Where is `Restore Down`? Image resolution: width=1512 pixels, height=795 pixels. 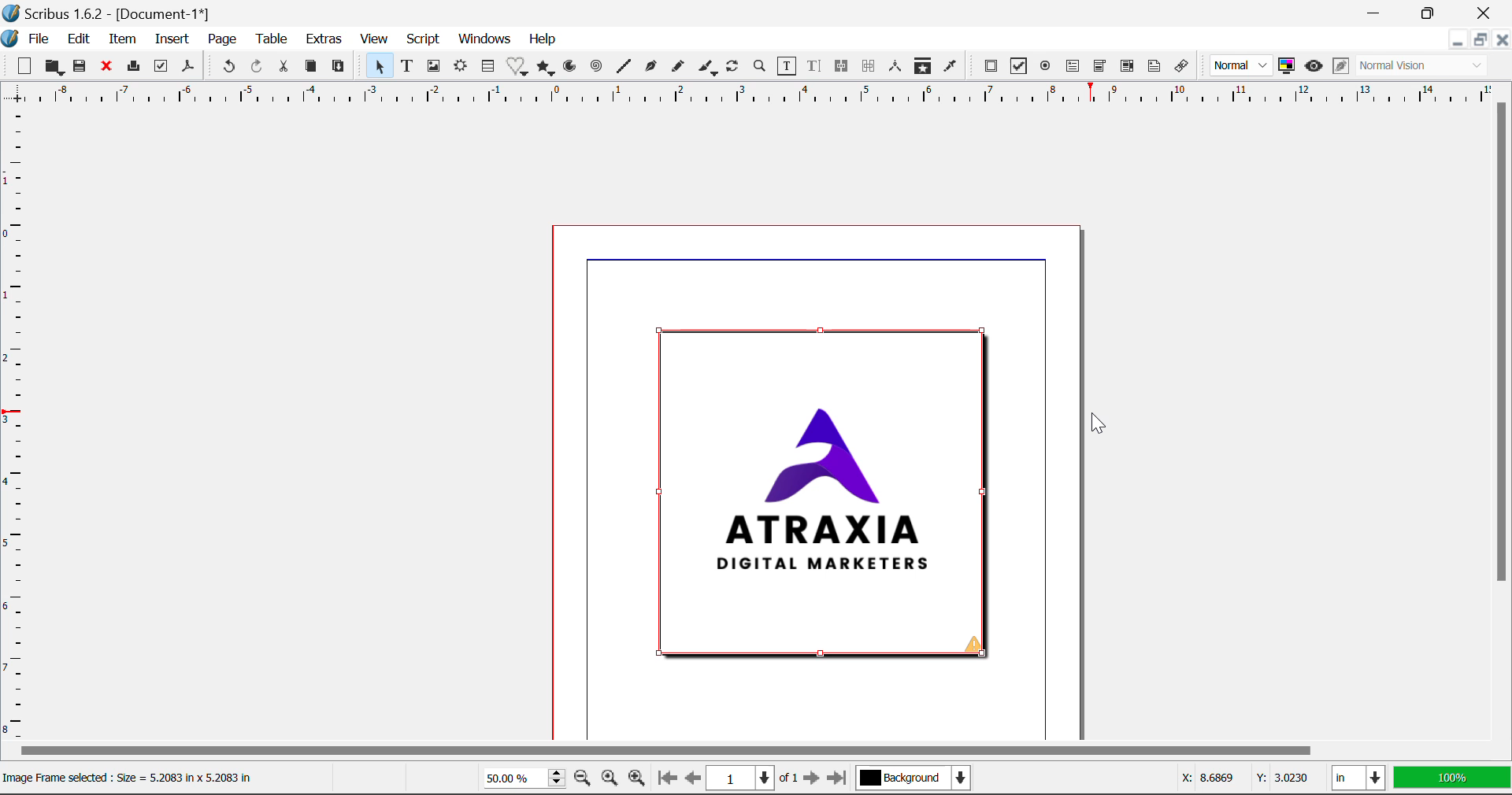 Restore Down is located at coordinates (1455, 42).